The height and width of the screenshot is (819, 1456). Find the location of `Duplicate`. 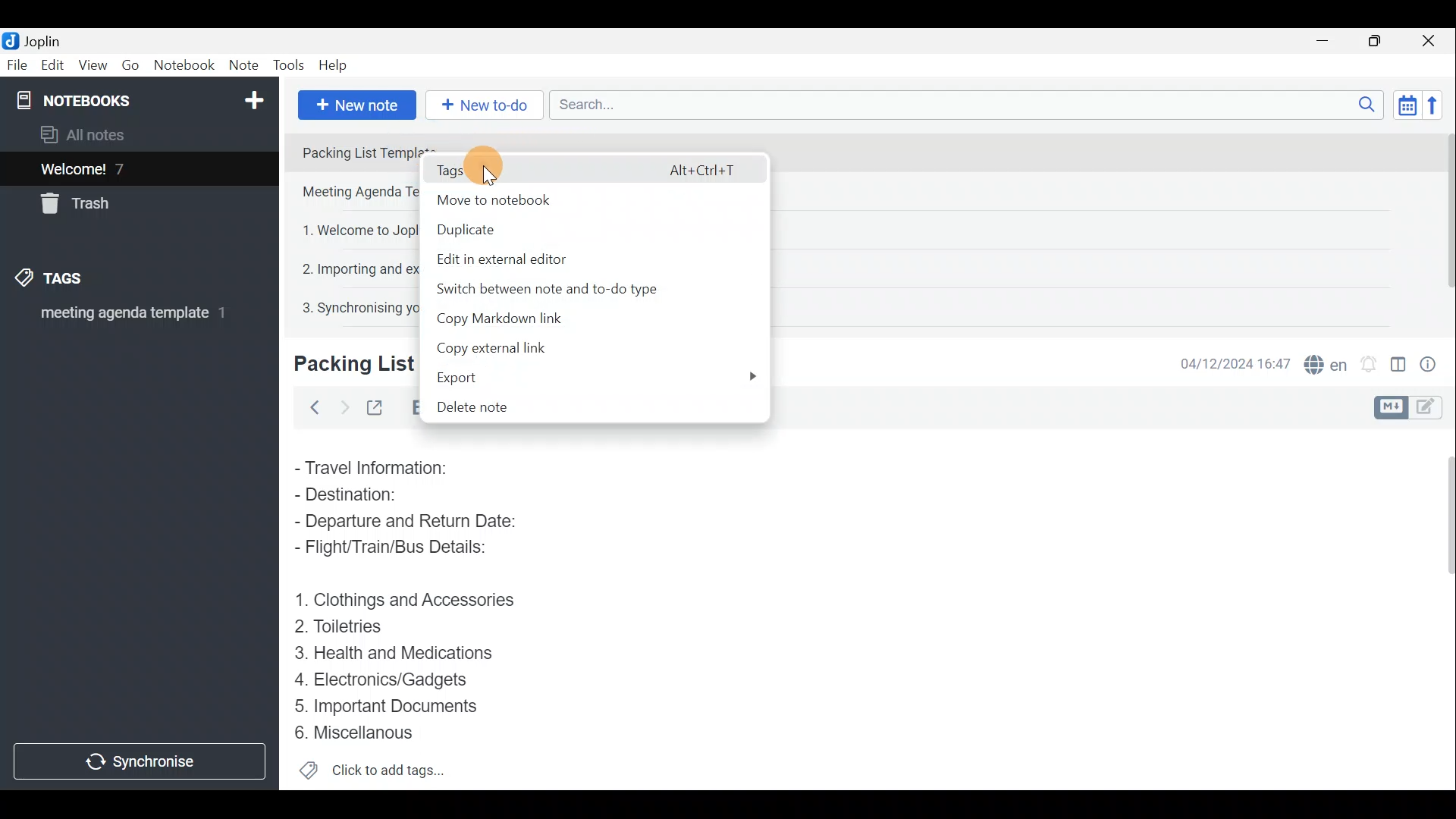

Duplicate is located at coordinates (522, 231).